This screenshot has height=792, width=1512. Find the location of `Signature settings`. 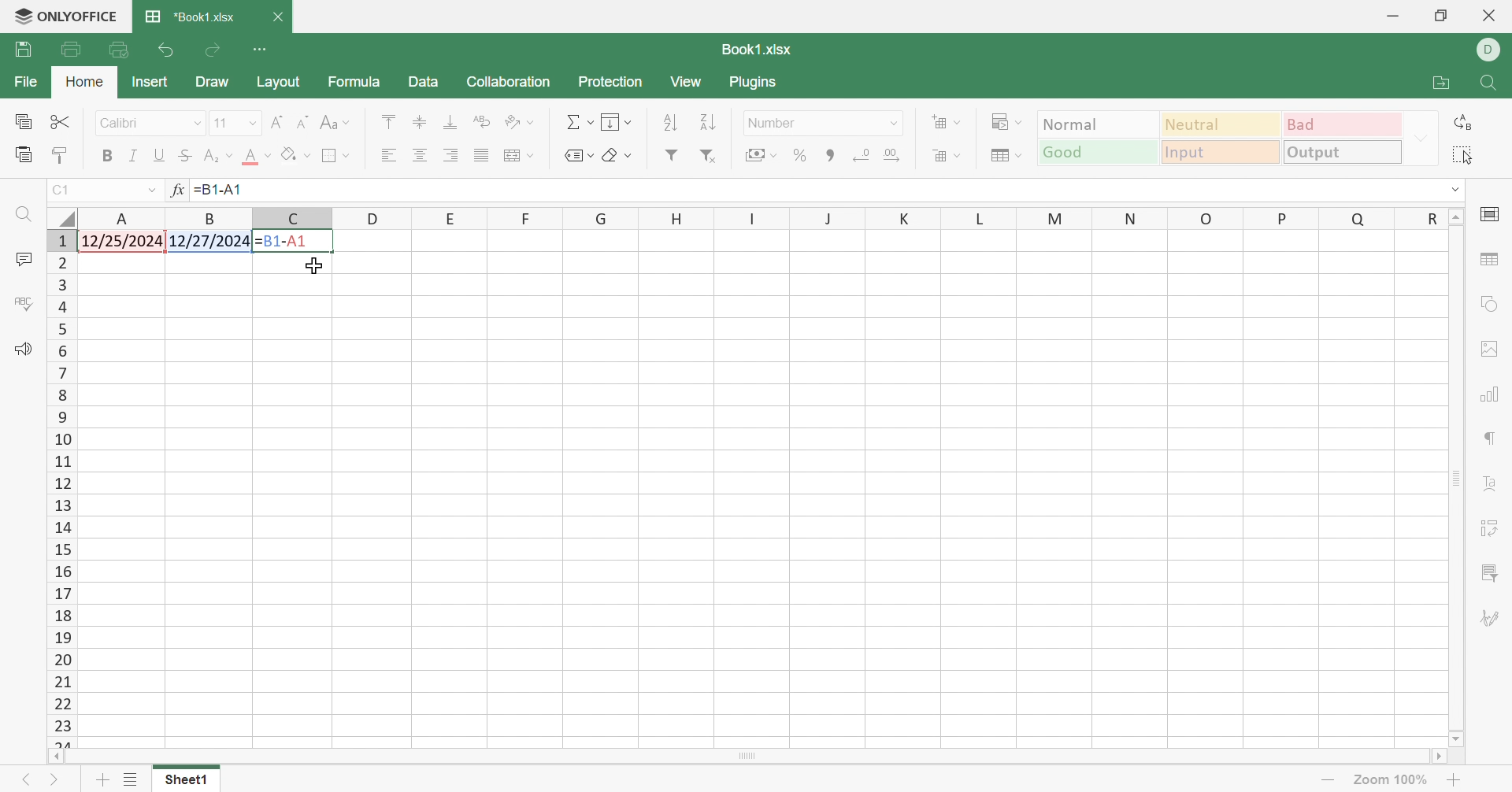

Signature settings is located at coordinates (1492, 619).